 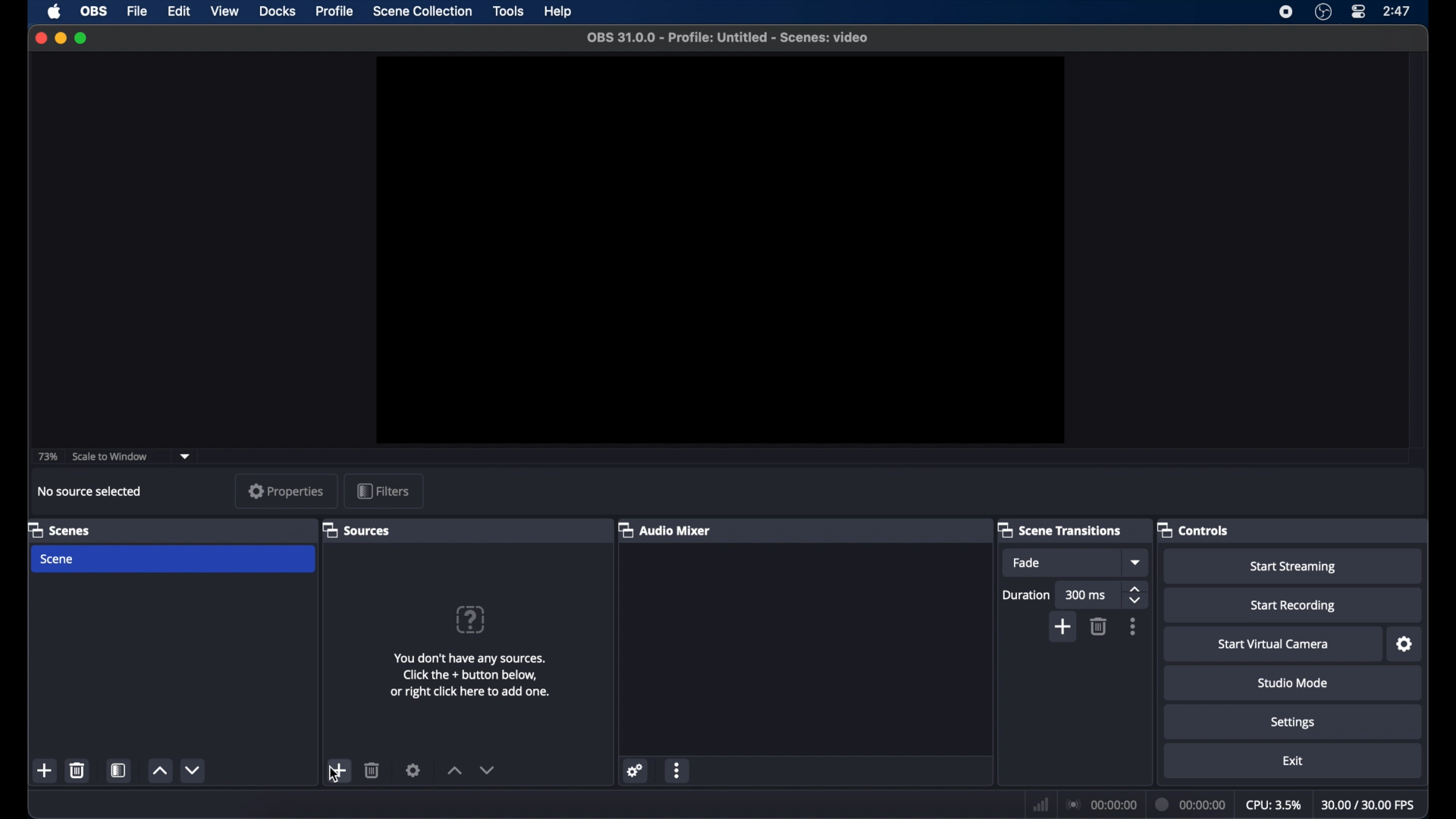 What do you see at coordinates (559, 12) in the screenshot?
I see `help` at bounding box center [559, 12].